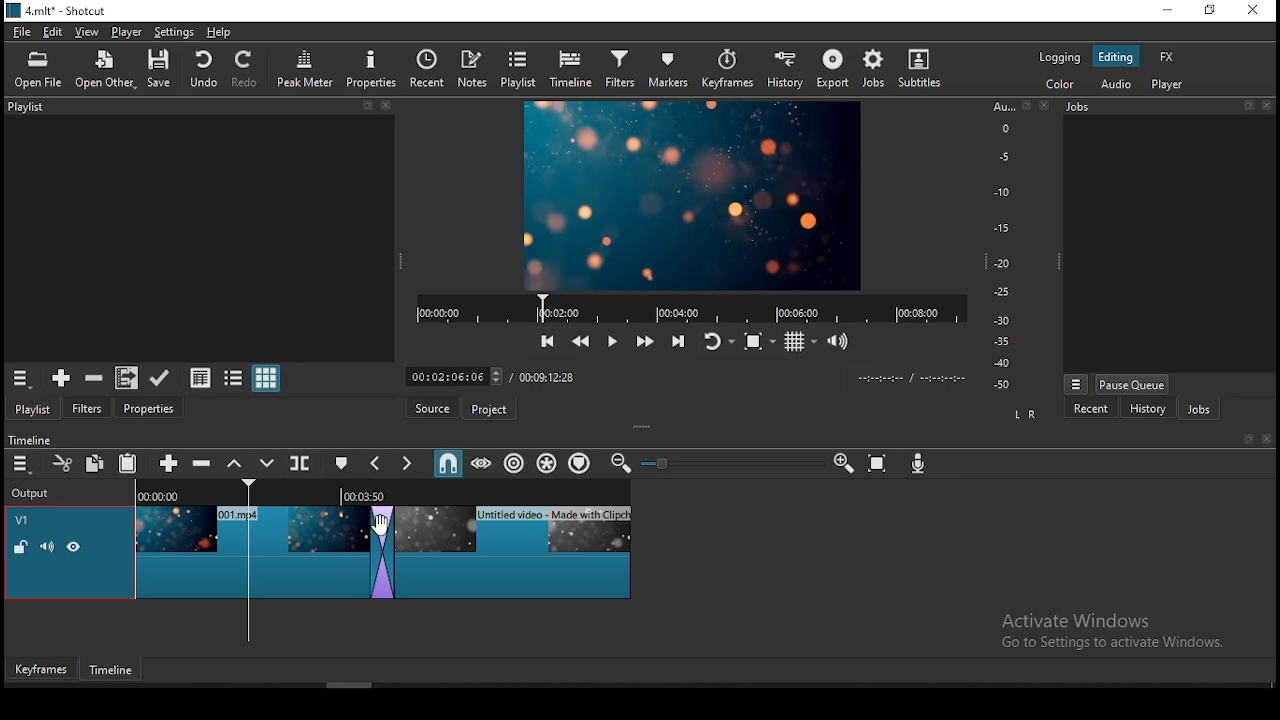  What do you see at coordinates (725, 463) in the screenshot?
I see `zoom in or zoom out slider` at bounding box center [725, 463].